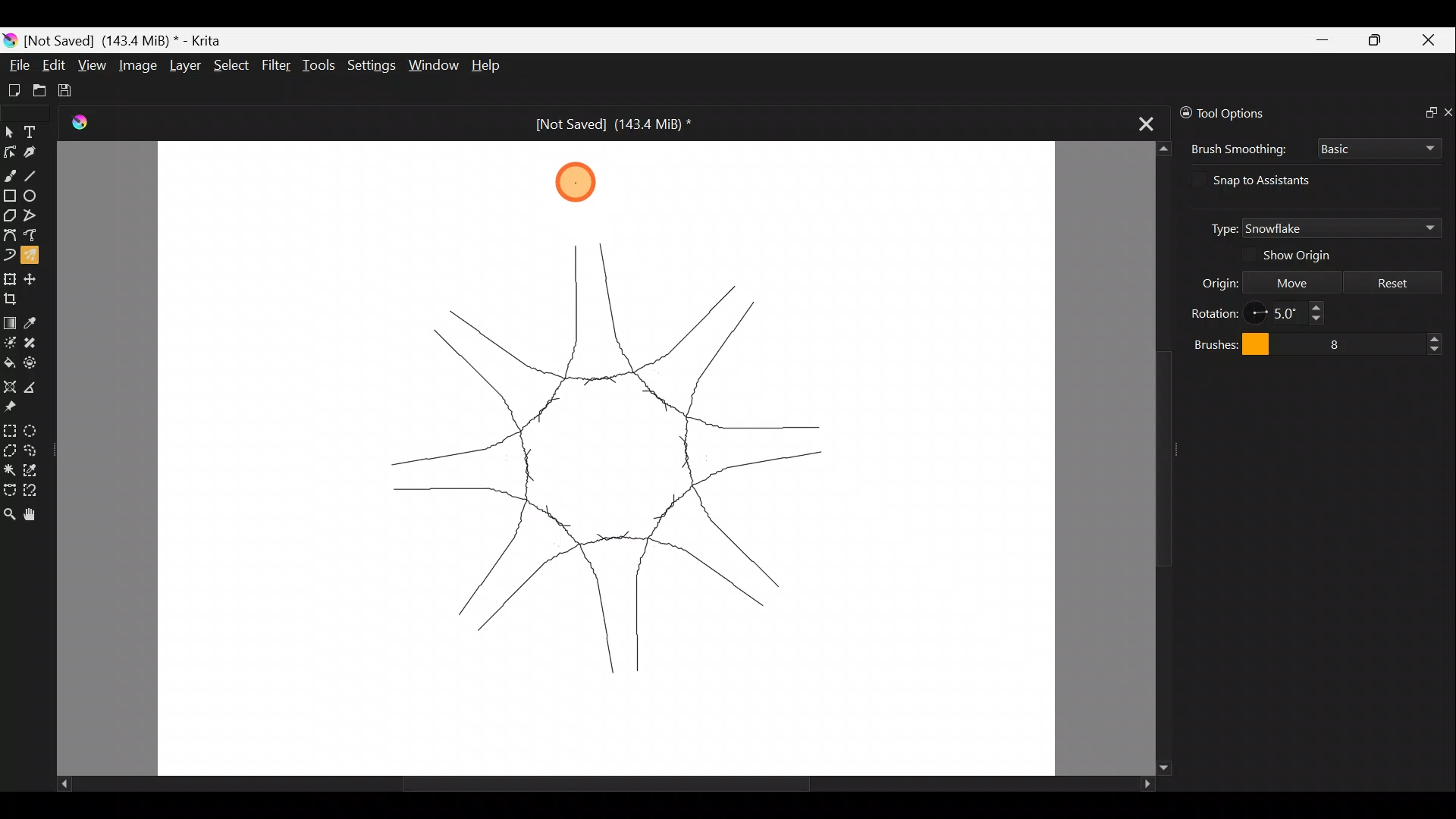 The height and width of the screenshot is (819, 1456). I want to click on Transform a layer/selection, so click(10, 278).